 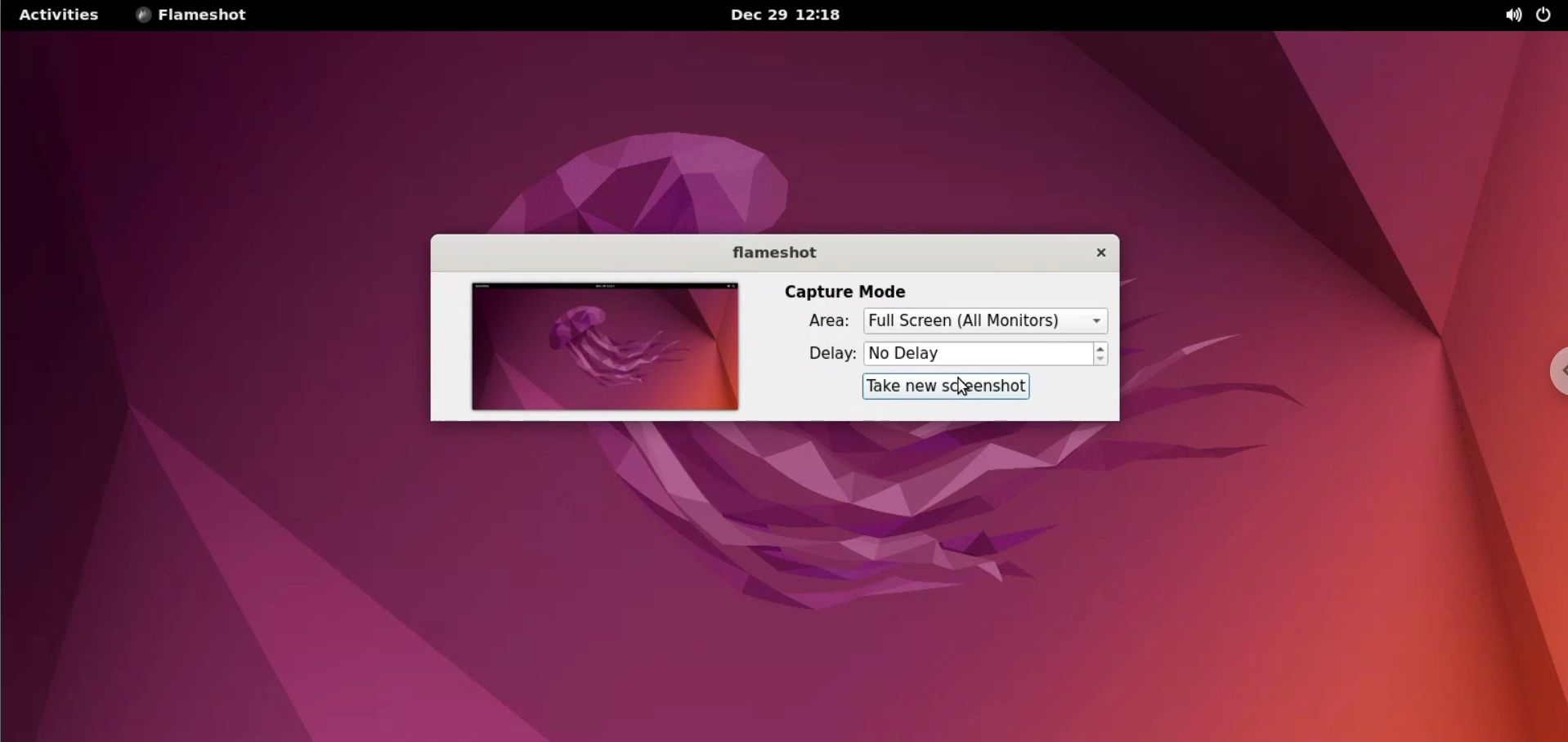 I want to click on Date and time Dec 29 12:18, so click(x=788, y=16).